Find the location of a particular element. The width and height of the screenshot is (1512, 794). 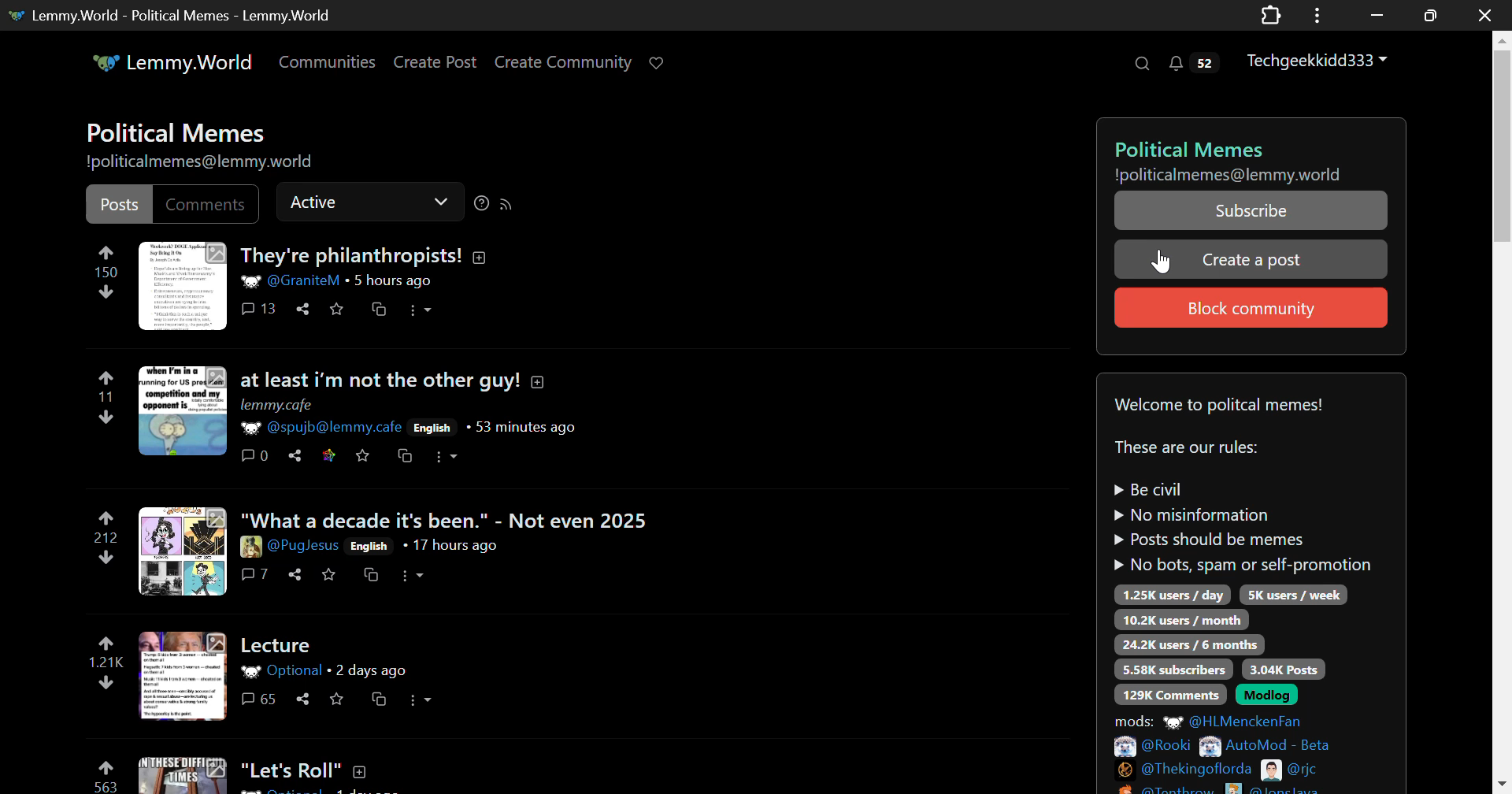

Post Vote Counter is located at coordinates (107, 540).